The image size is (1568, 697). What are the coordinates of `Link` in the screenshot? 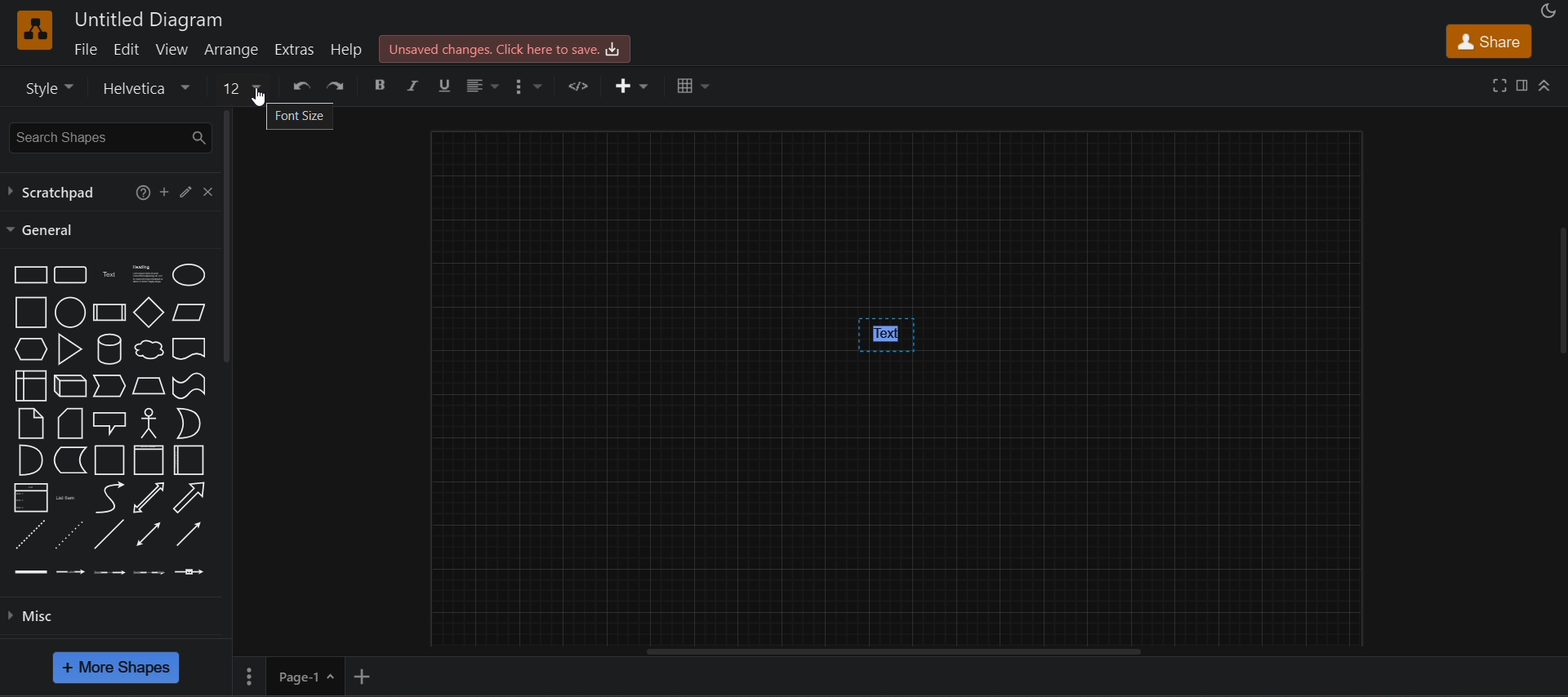 It's located at (31, 572).